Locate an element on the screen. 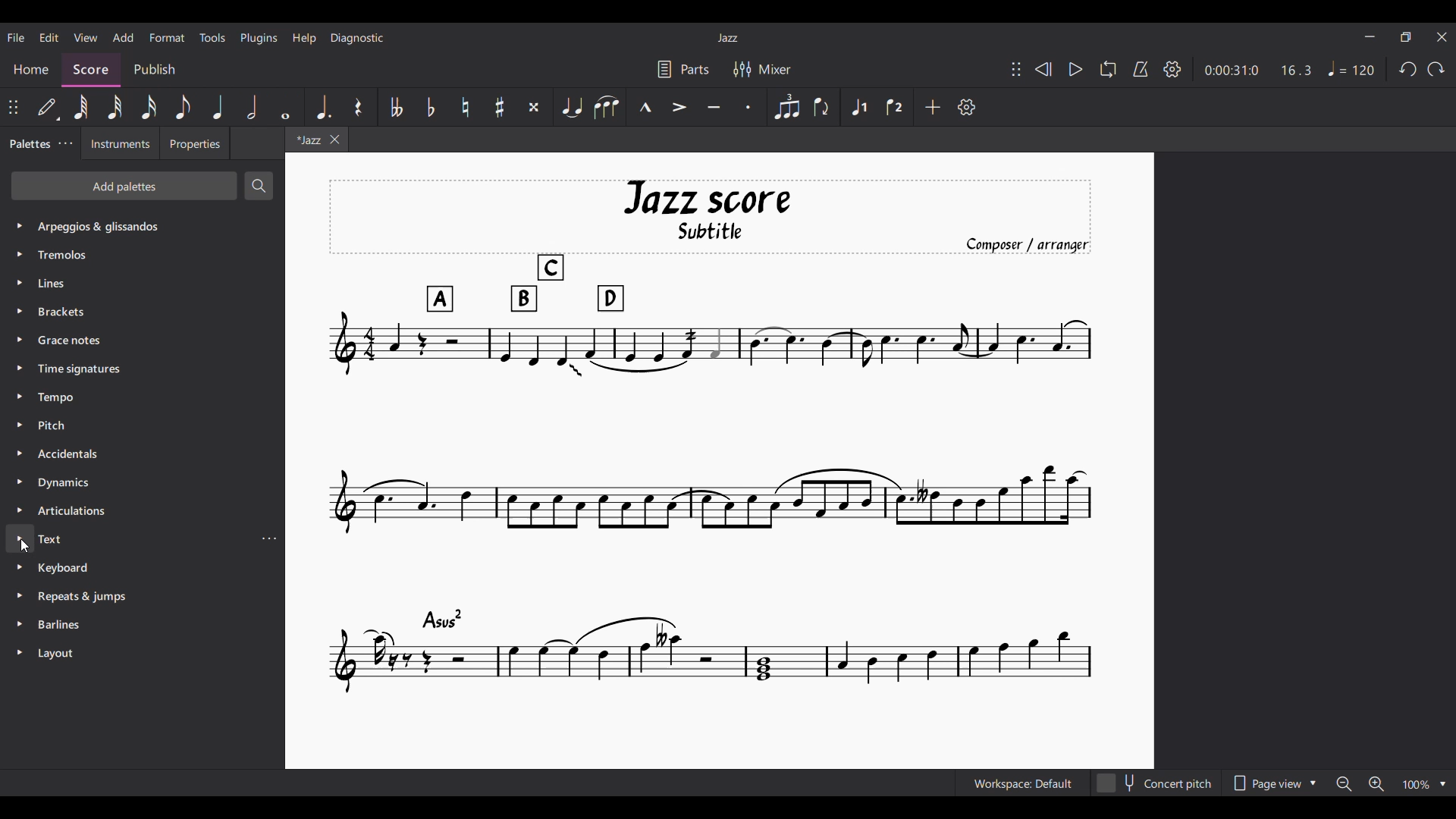 The image size is (1456, 819). Staccato is located at coordinates (749, 107).